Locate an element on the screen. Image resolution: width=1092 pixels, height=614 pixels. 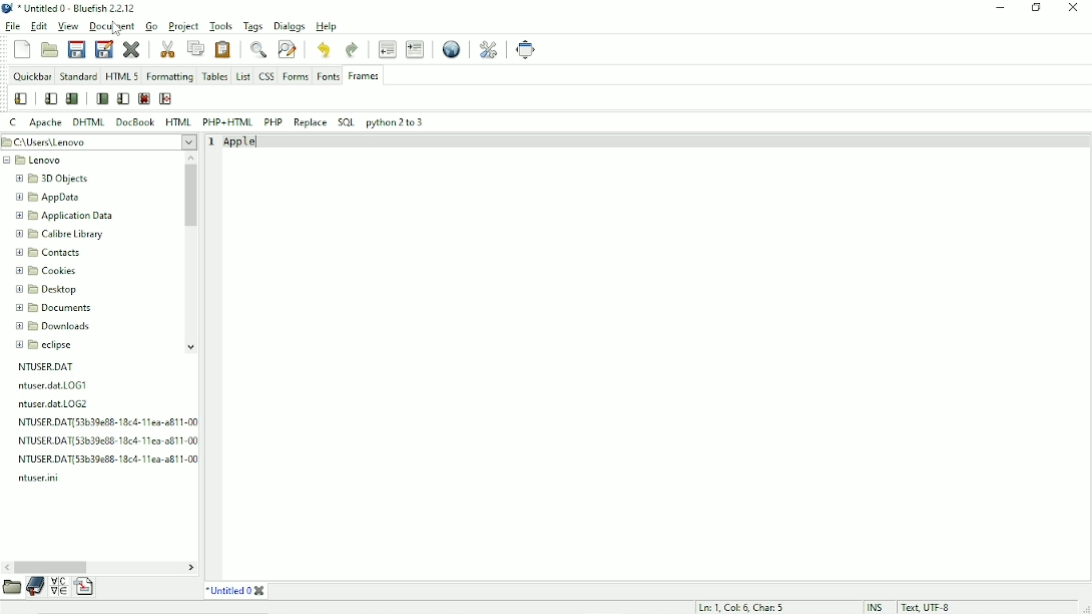
Help is located at coordinates (328, 25).